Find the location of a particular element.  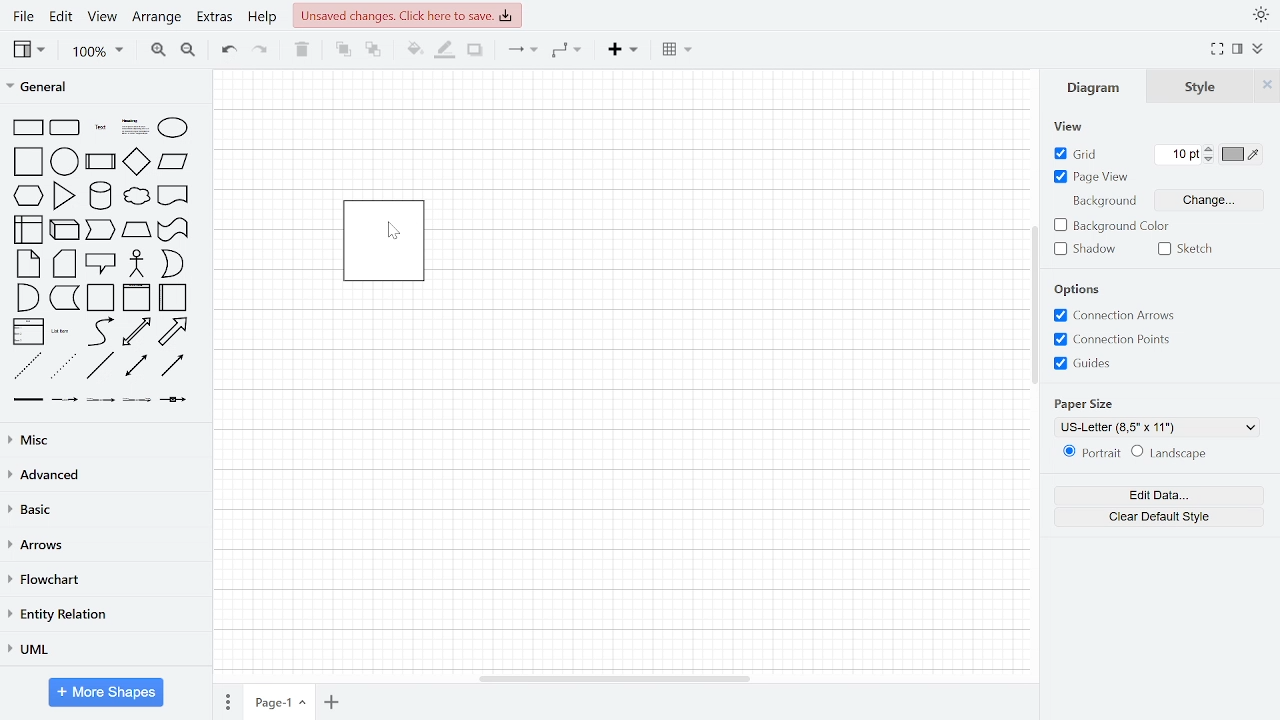

table is located at coordinates (676, 52).